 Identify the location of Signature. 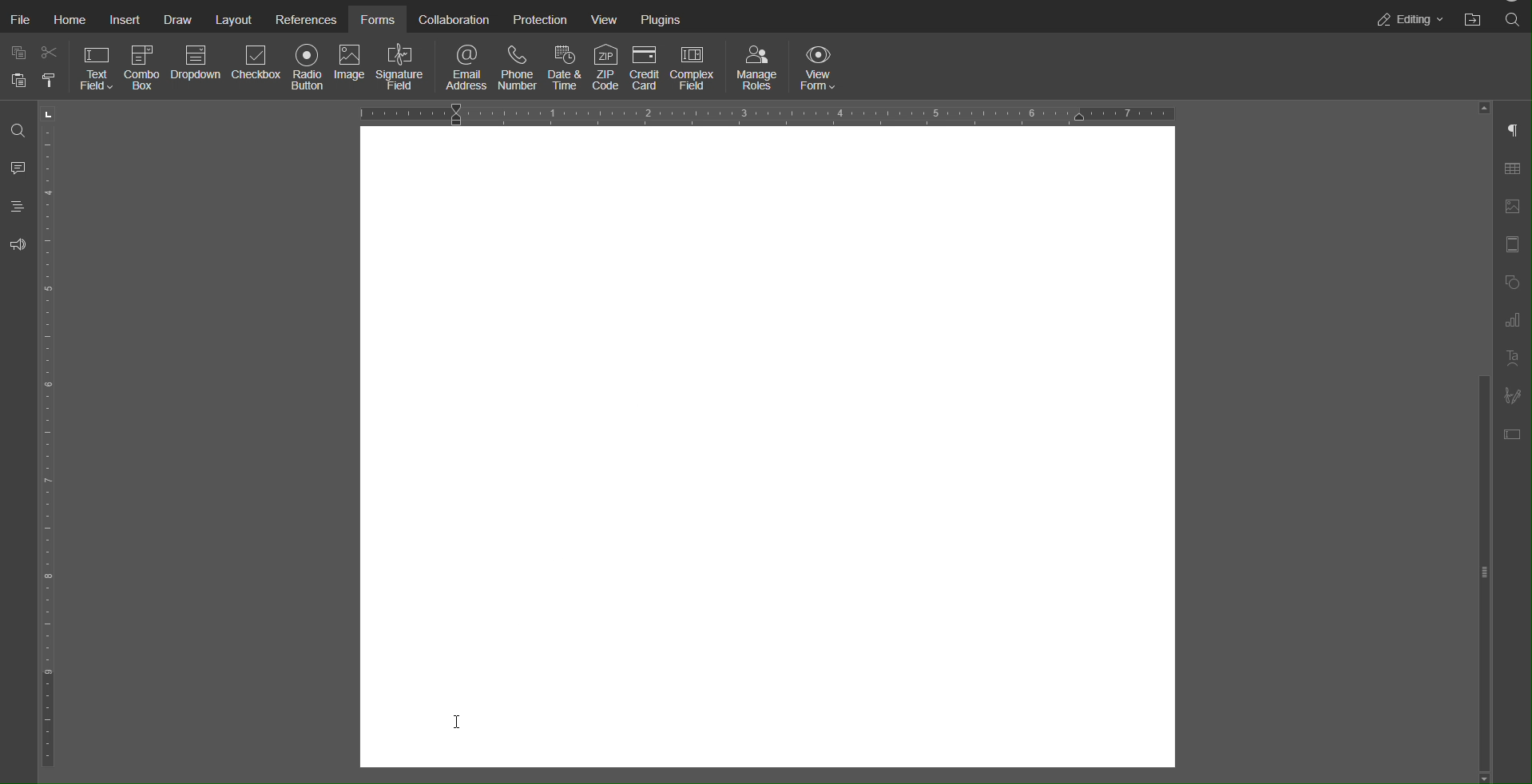
(1513, 395).